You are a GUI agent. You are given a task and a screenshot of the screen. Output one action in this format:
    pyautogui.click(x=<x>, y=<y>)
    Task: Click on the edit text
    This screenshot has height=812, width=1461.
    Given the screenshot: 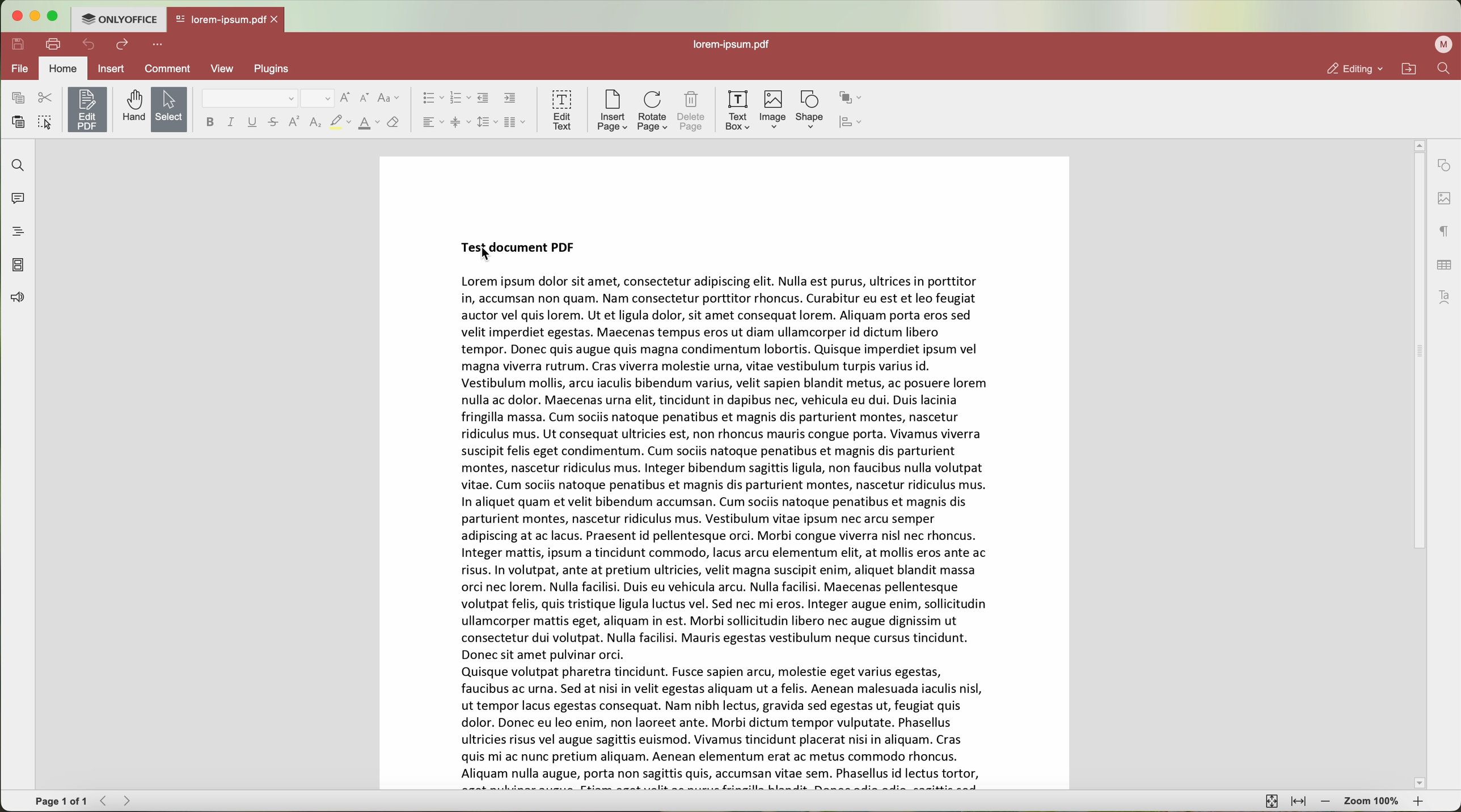 What is the action you would take?
    pyautogui.click(x=560, y=111)
    